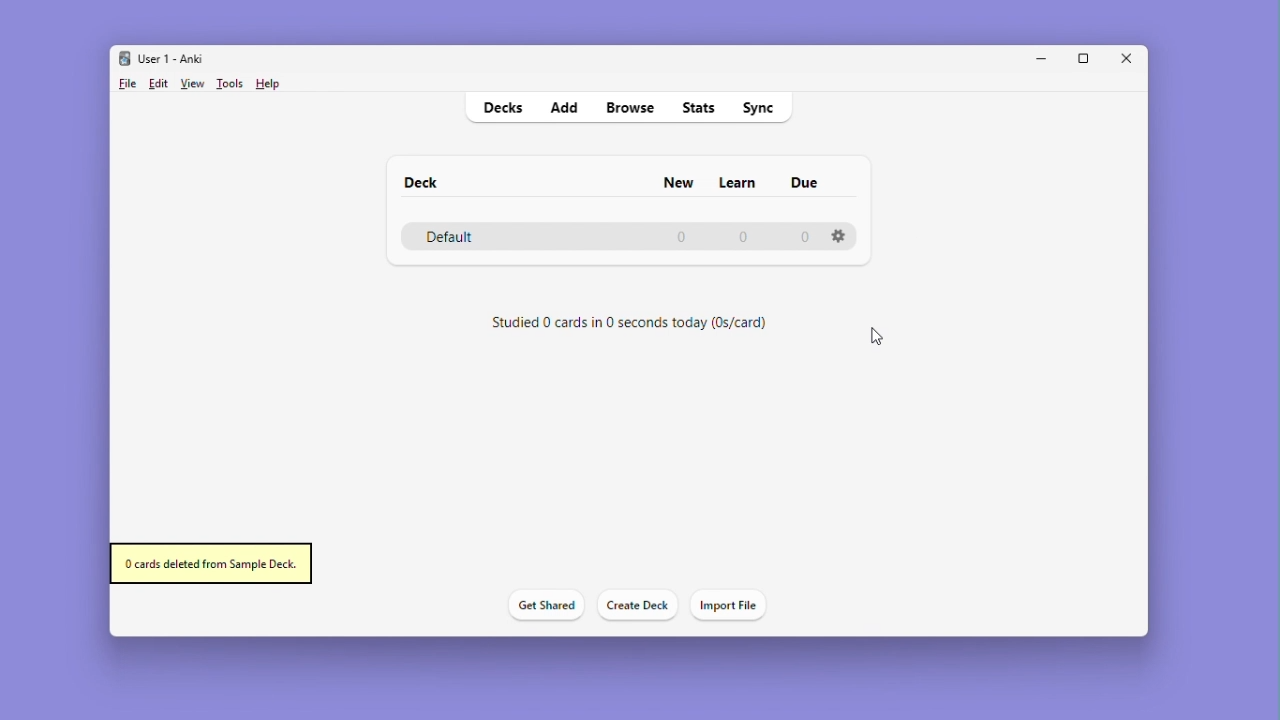 The image size is (1280, 720). Describe the element at coordinates (1090, 59) in the screenshot. I see `Maximize` at that location.